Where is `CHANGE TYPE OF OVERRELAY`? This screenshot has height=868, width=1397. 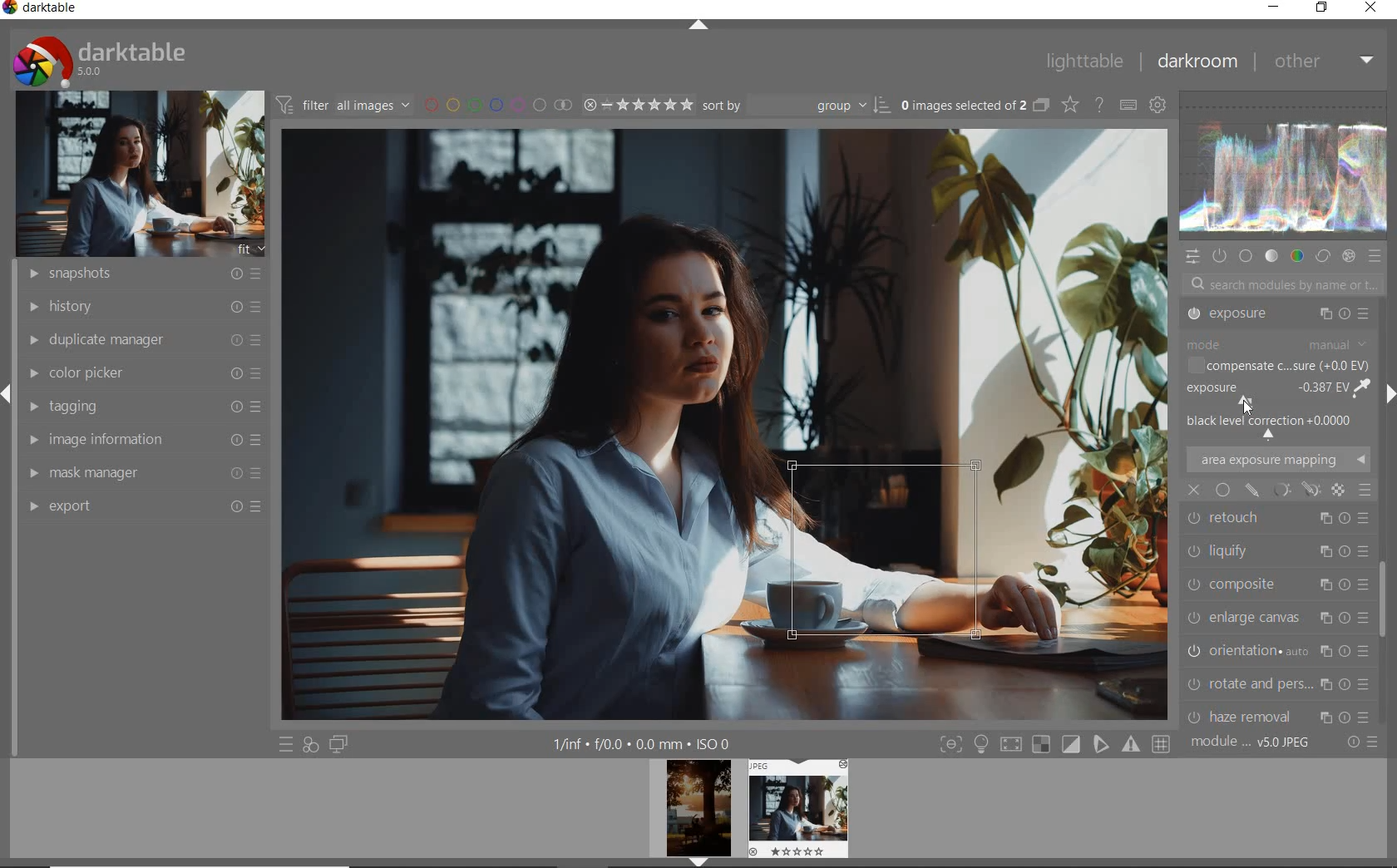
CHANGE TYPE OF OVERRELAY is located at coordinates (1069, 104).